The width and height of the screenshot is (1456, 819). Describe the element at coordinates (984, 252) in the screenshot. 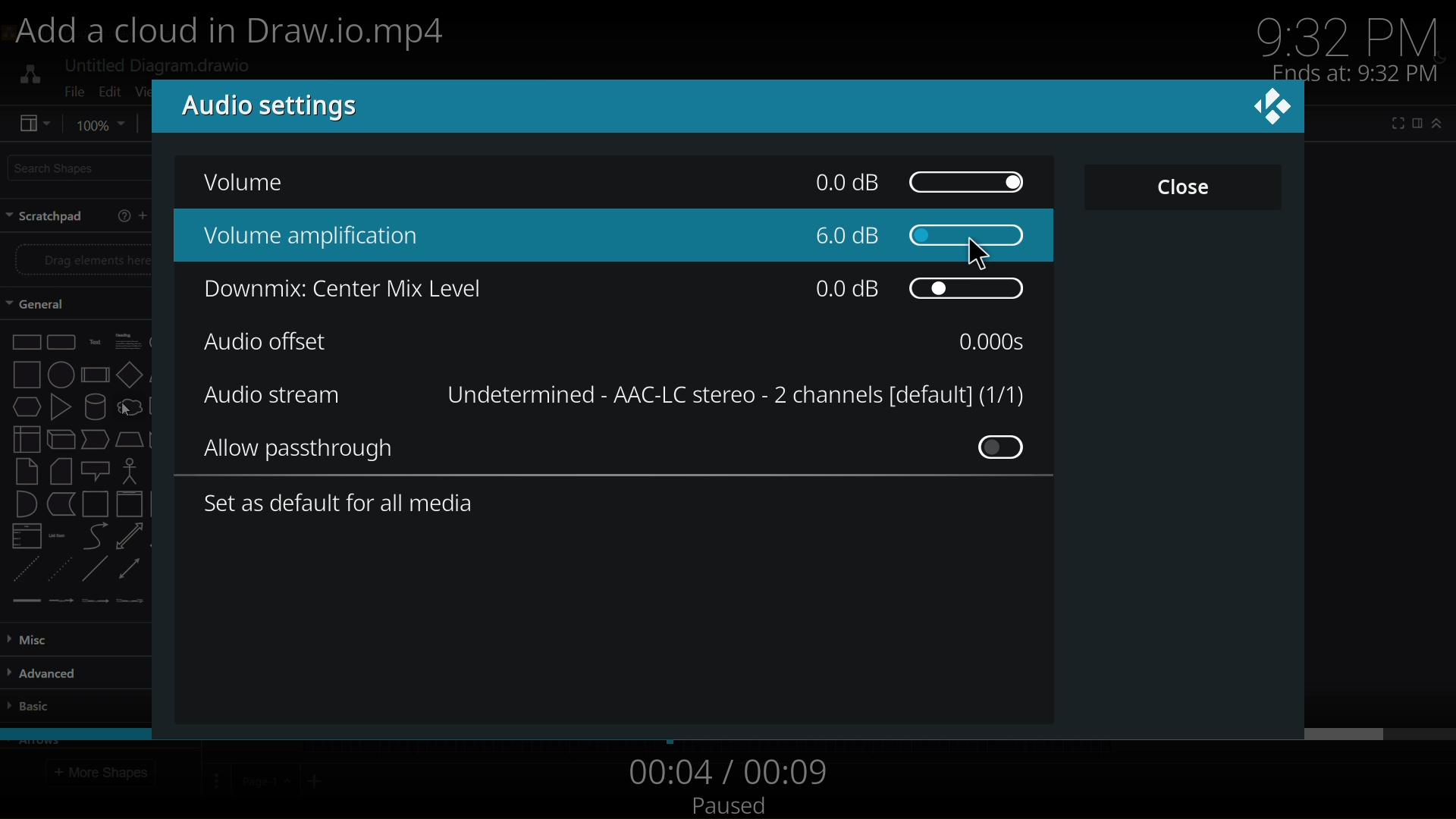

I see `cursor` at that location.